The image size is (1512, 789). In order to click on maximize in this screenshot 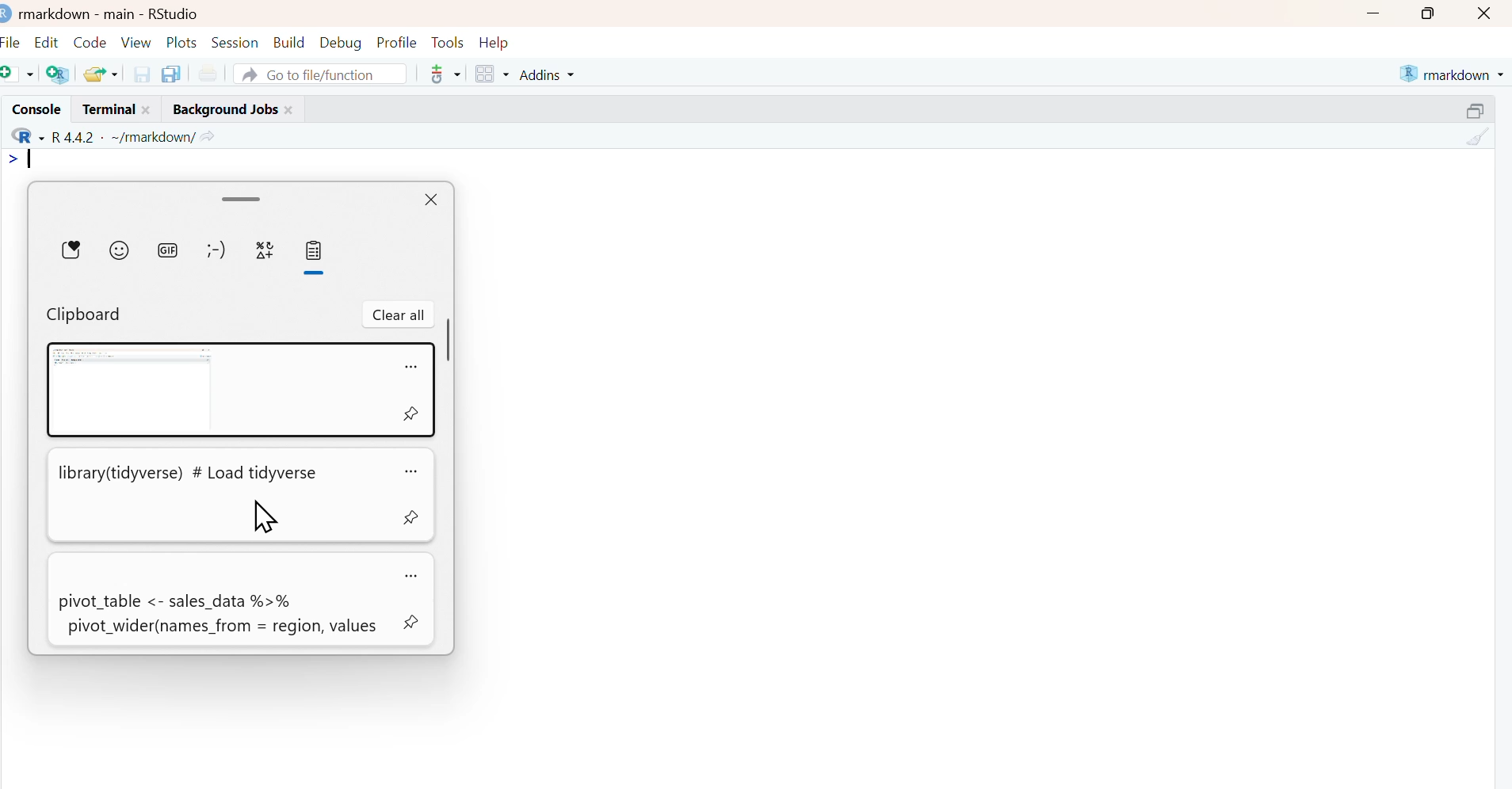, I will do `click(1434, 13)`.